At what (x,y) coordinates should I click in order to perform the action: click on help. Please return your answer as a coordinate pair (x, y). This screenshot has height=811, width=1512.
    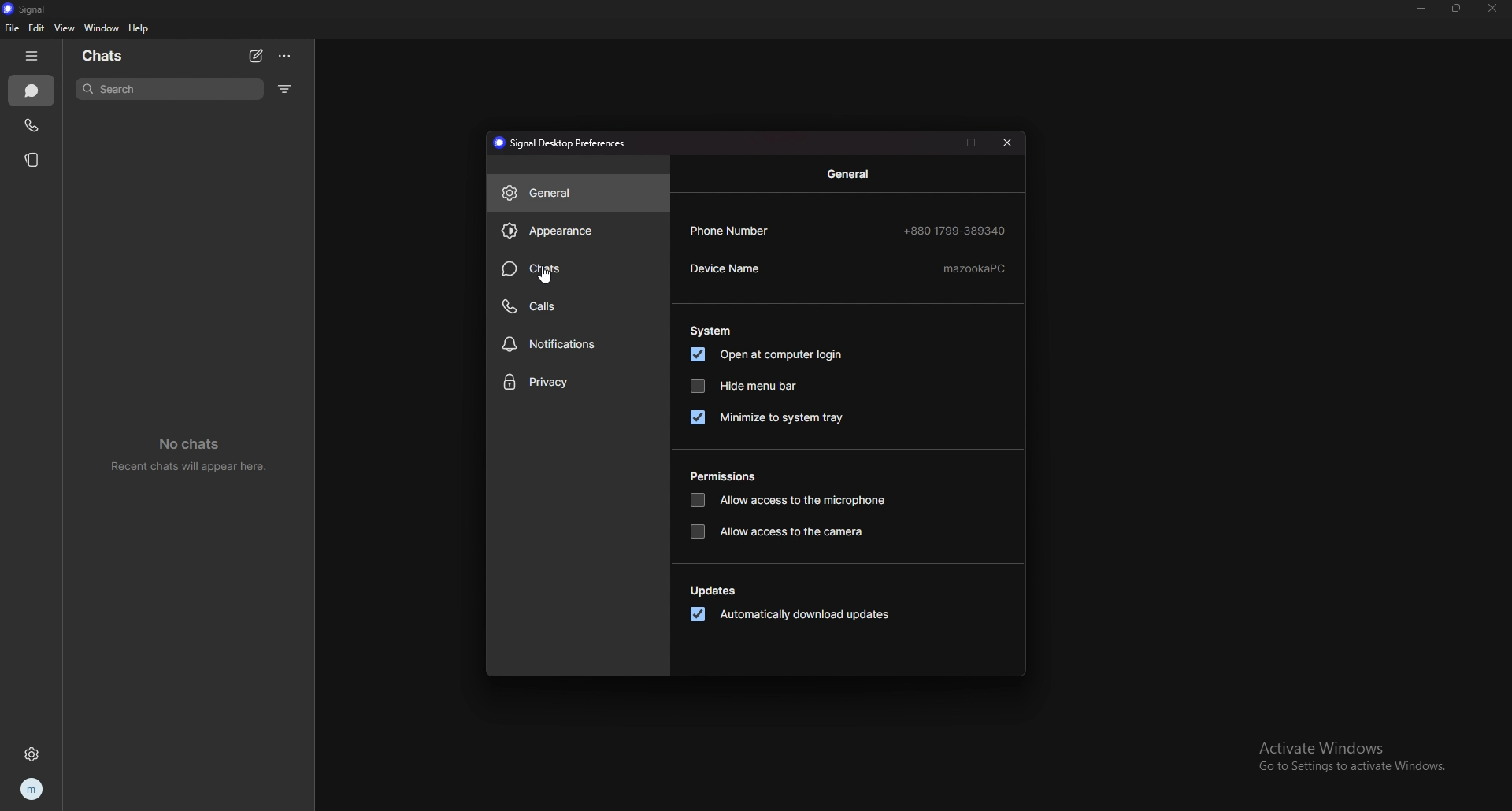
    Looking at the image, I should click on (139, 28).